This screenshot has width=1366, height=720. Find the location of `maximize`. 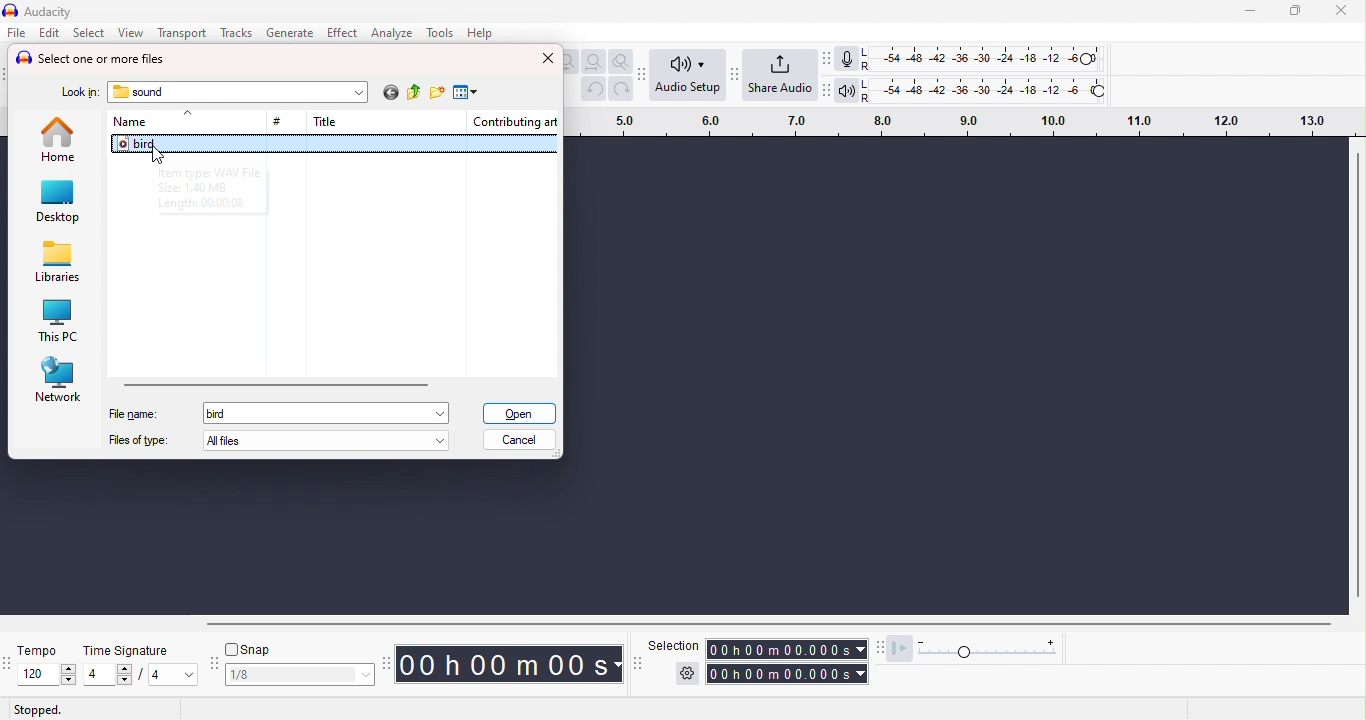

maximize is located at coordinates (1295, 11).